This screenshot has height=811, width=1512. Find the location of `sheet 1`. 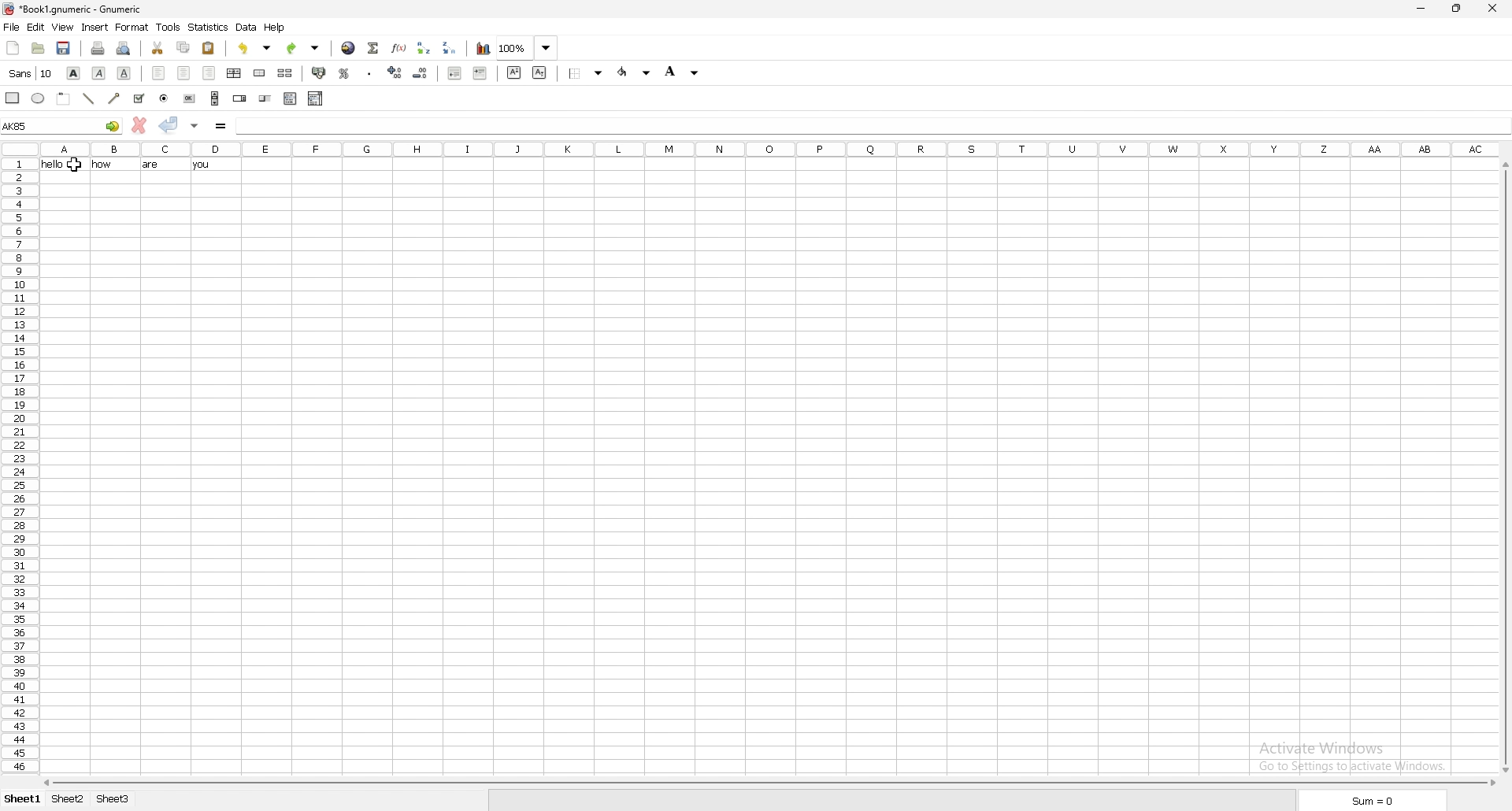

sheet 1 is located at coordinates (21, 801).